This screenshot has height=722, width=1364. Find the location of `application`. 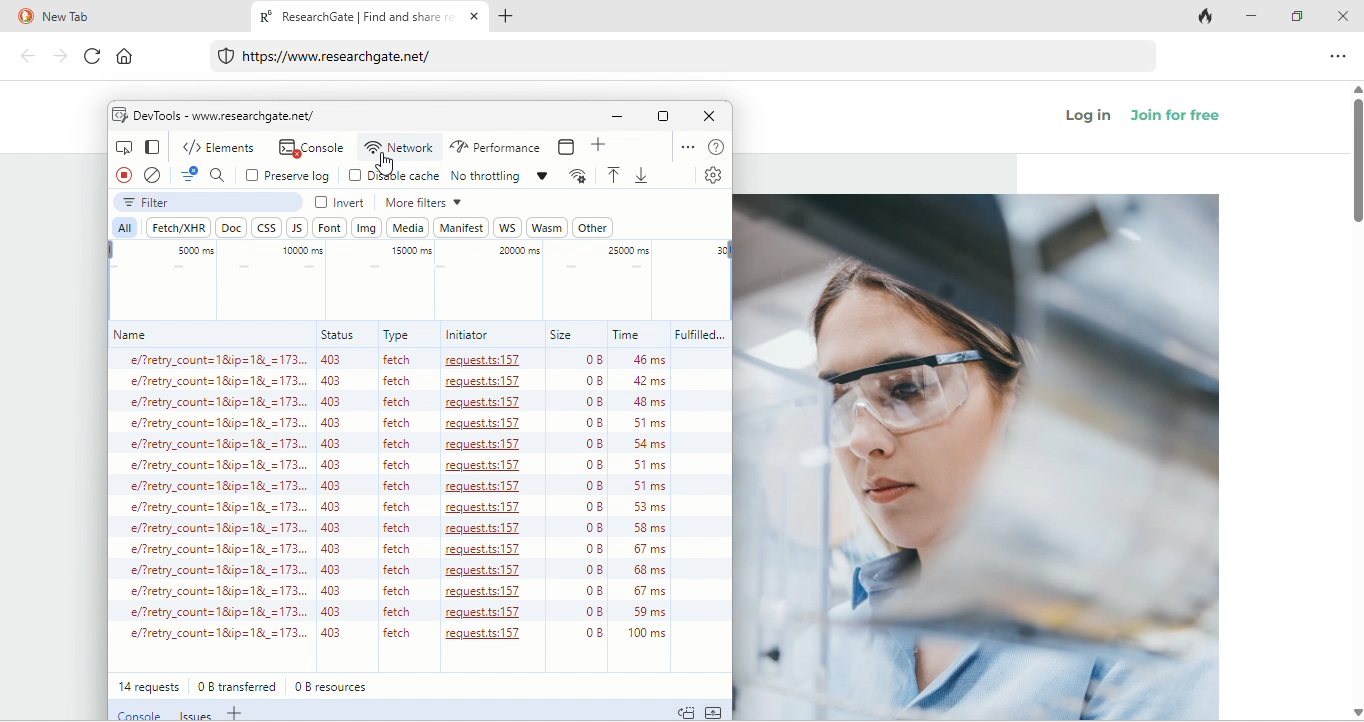

application is located at coordinates (570, 147).